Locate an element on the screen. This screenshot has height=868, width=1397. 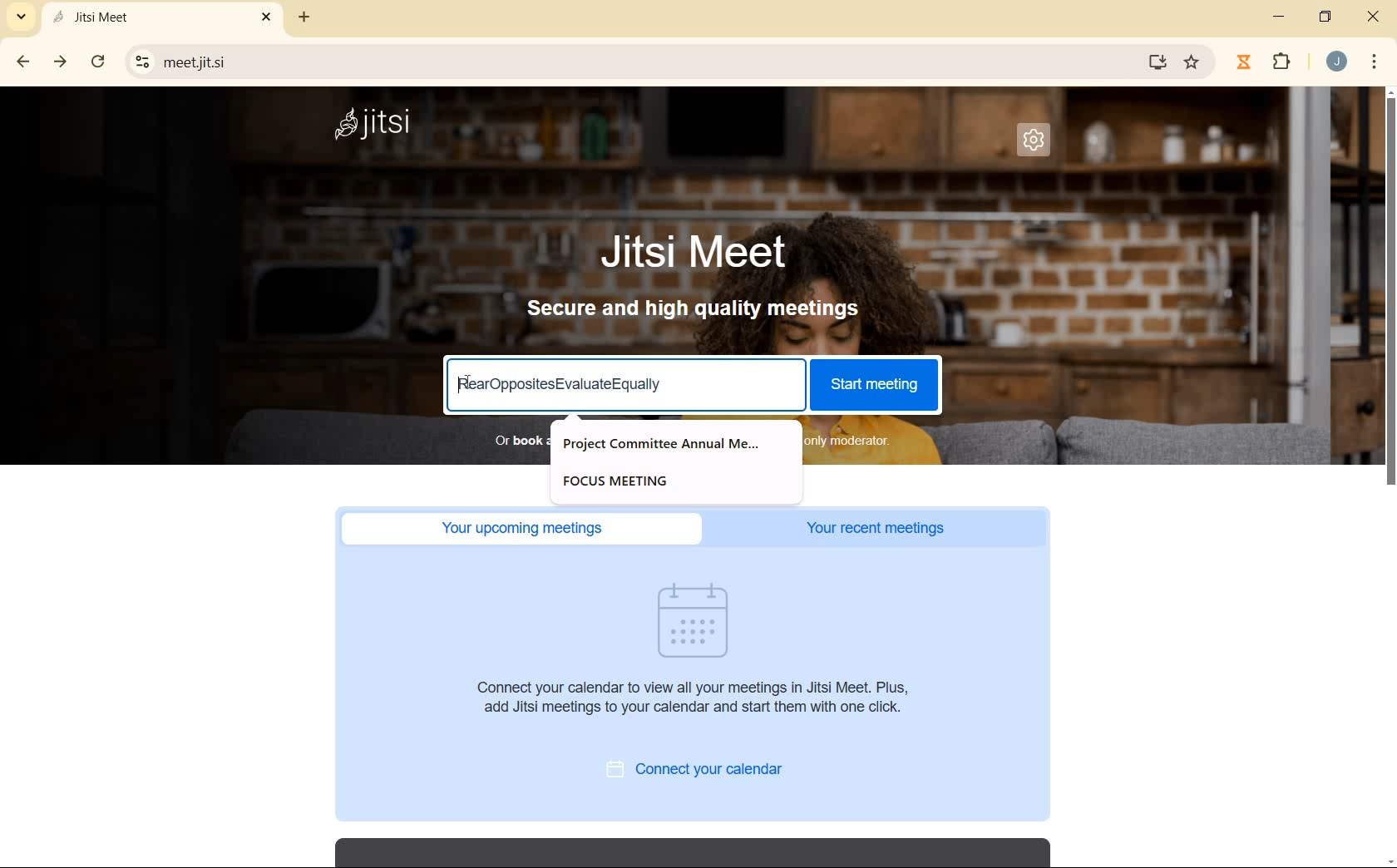
Cursor is located at coordinates (460, 387).